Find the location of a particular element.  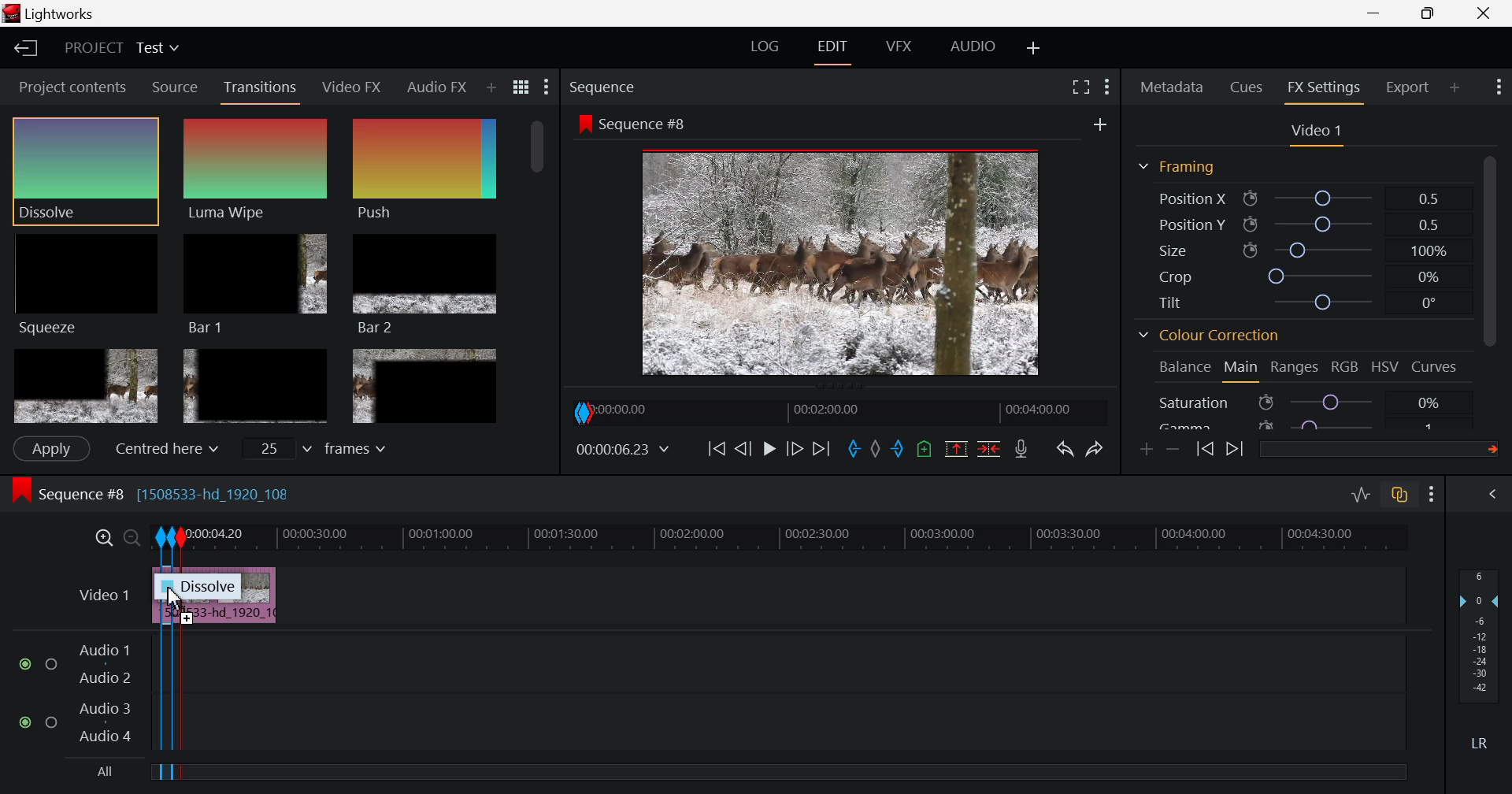

Toggle between list and title view is located at coordinates (523, 87).